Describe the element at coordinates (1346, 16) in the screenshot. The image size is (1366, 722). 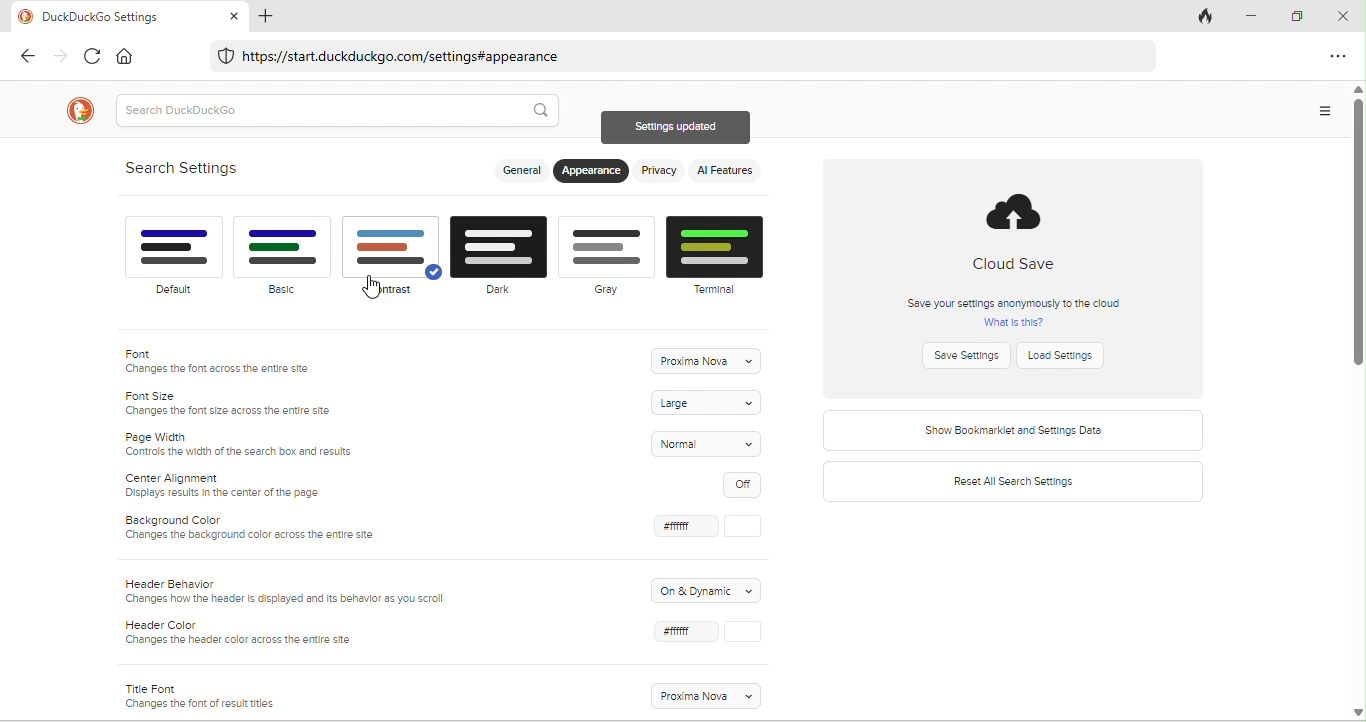
I see `close` at that location.